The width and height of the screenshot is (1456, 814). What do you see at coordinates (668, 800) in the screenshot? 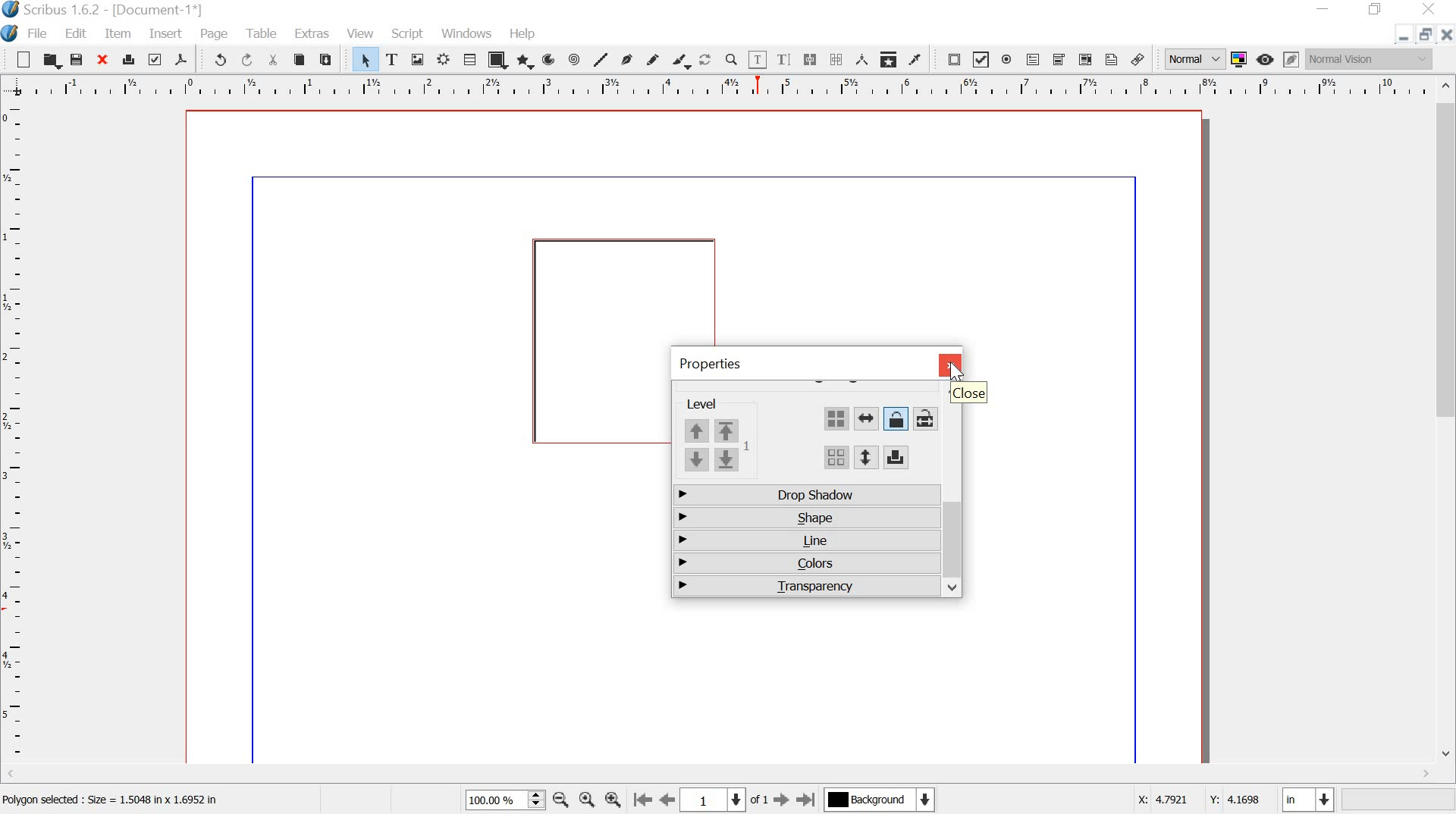
I see `go to previous page` at bounding box center [668, 800].